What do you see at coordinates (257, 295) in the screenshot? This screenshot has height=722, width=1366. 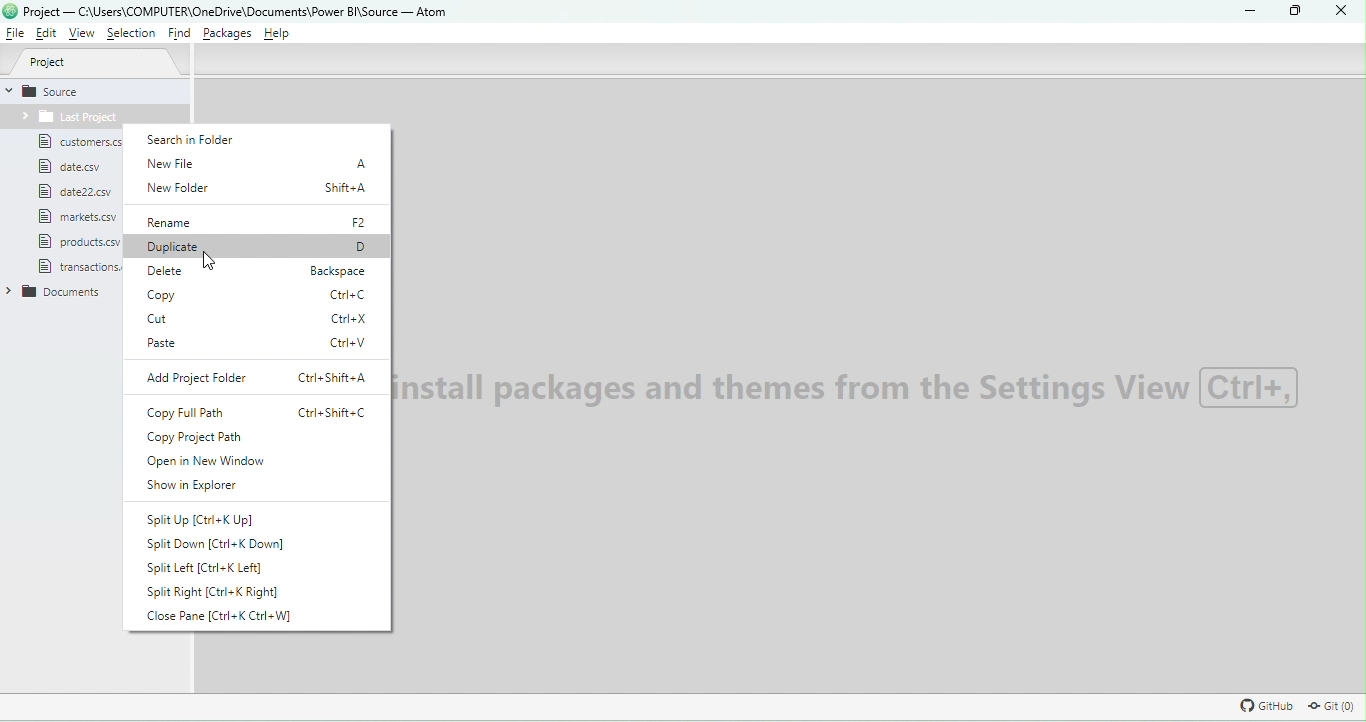 I see `Copy` at bounding box center [257, 295].